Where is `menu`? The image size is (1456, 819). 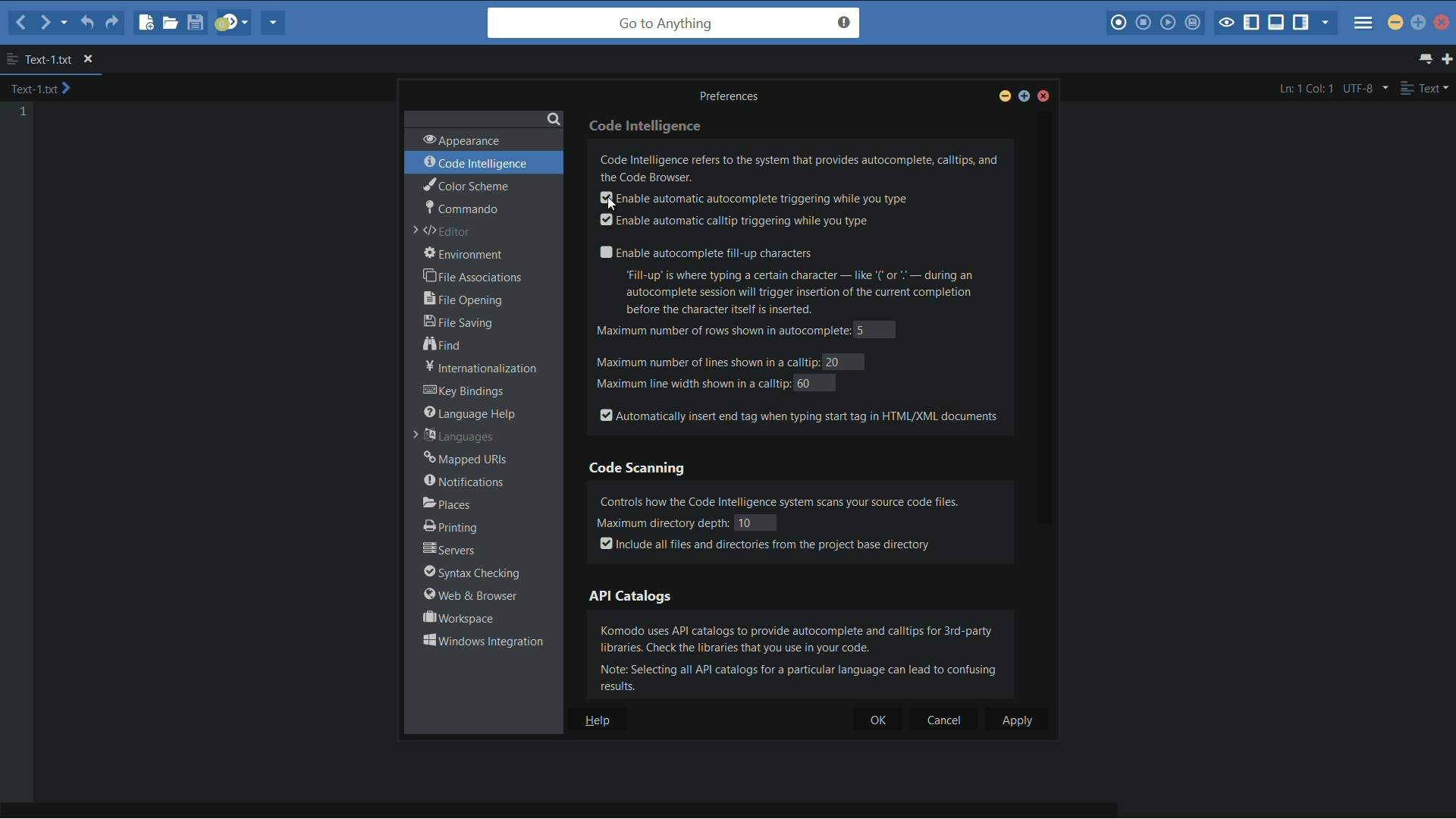 menu is located at coordinates (1363, 18).